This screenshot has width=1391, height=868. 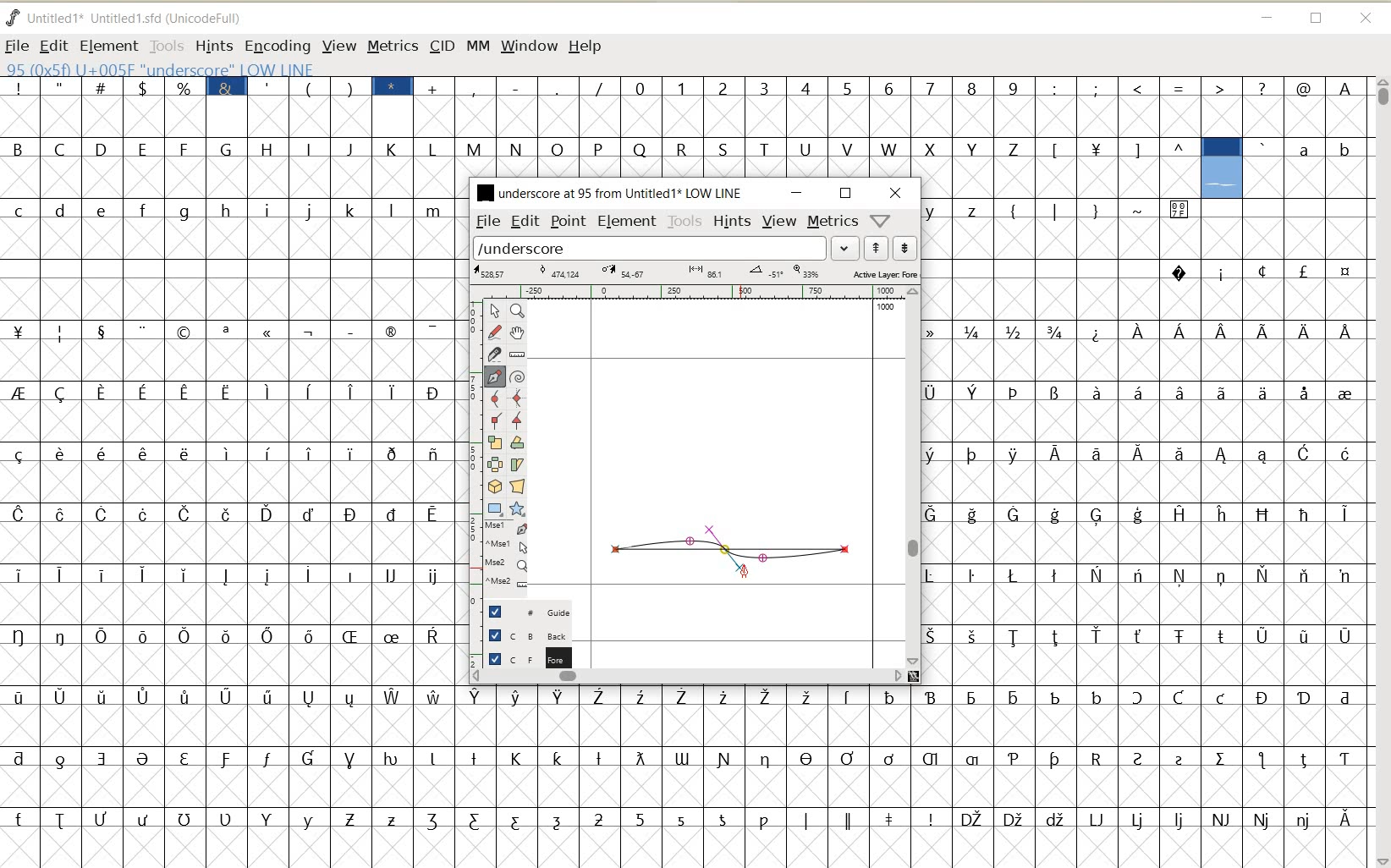 What do you see at coordinates (650, 247) in the screenshot?
I see `load word list` at bounding box center [650, 247].